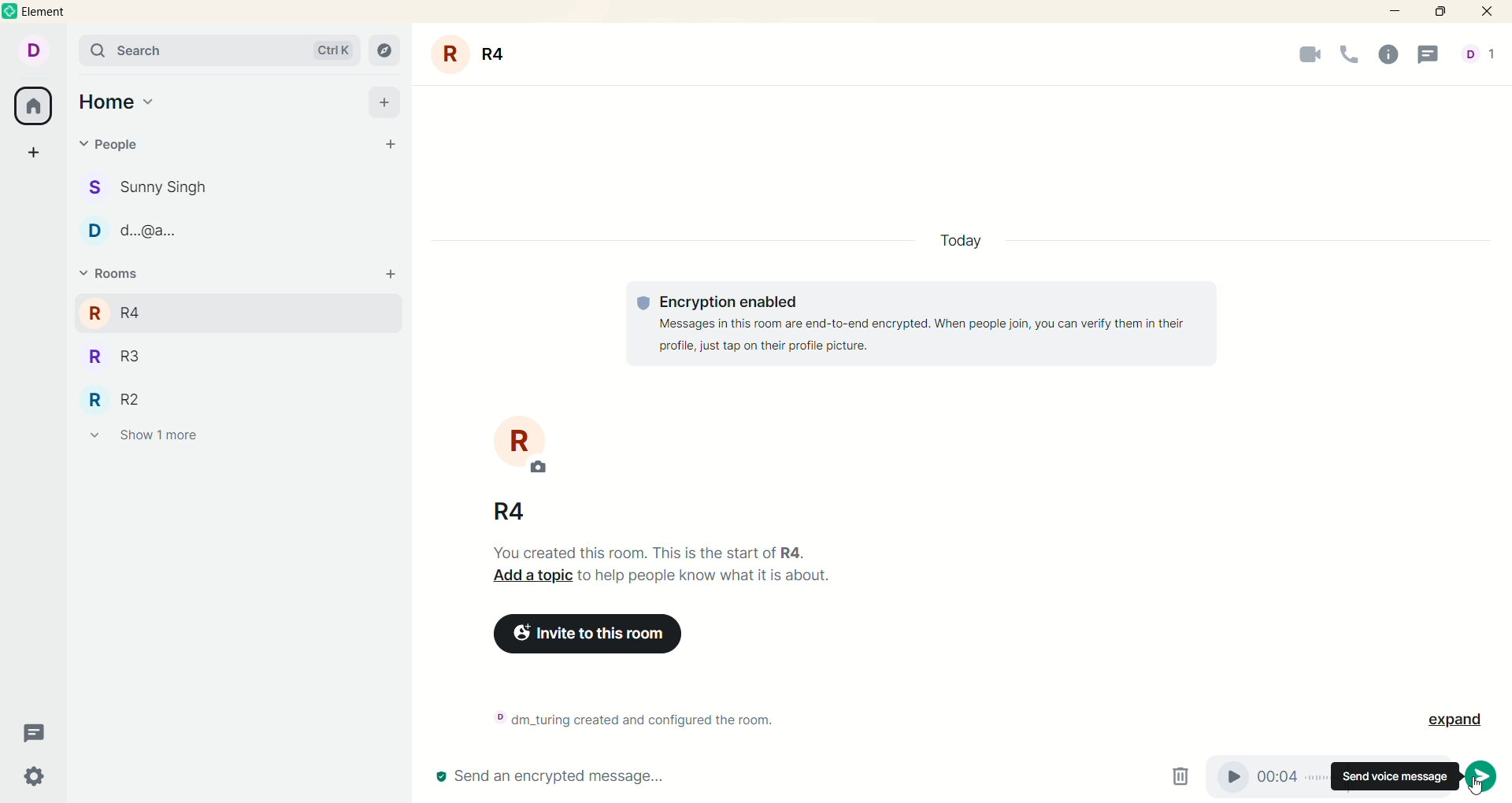  Describe the element at coordinates (391, 276) in the screenshot. I see `` at that location.